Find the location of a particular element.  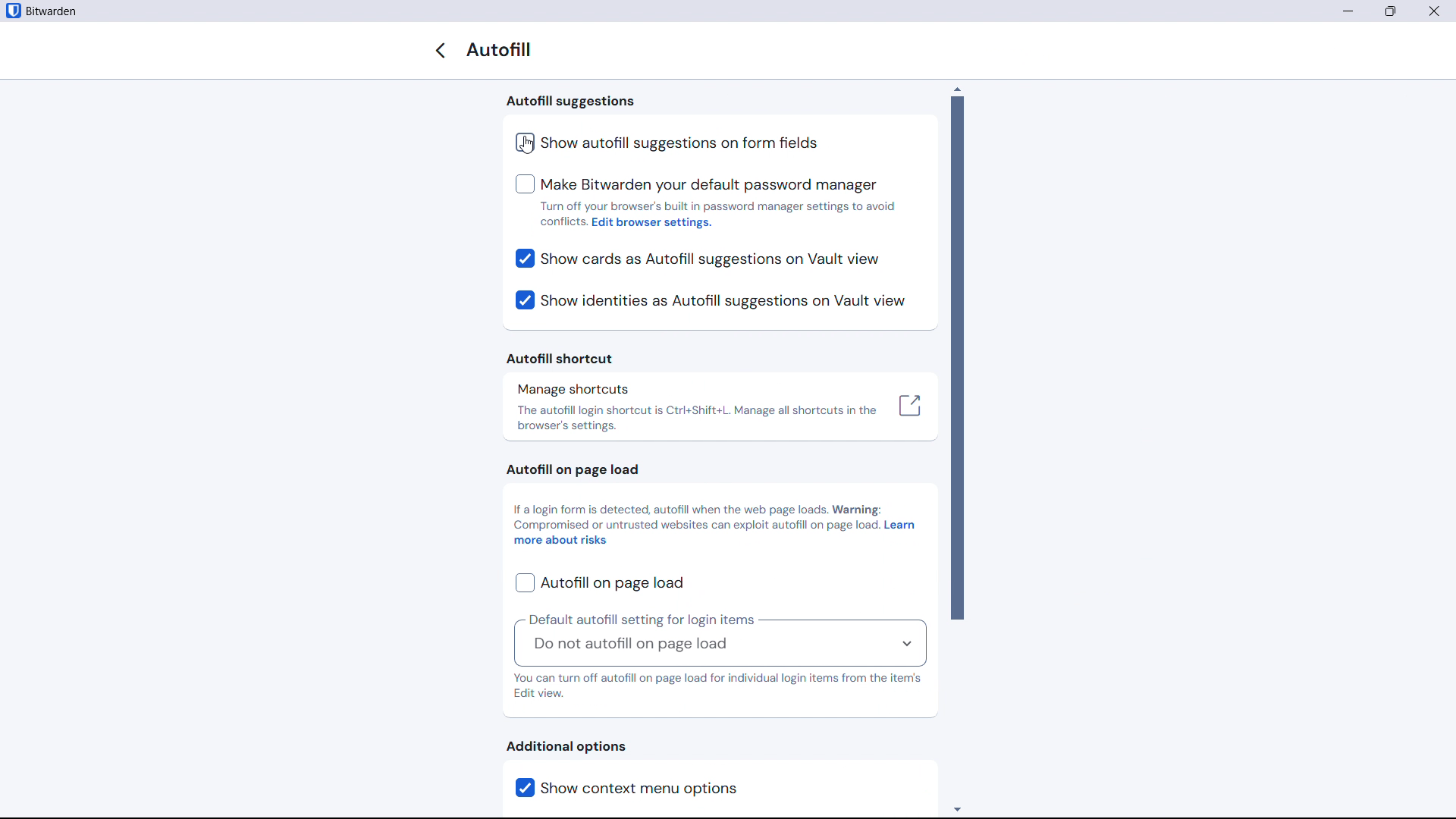

Autofill suggestions is located at coordinates (571, 102).